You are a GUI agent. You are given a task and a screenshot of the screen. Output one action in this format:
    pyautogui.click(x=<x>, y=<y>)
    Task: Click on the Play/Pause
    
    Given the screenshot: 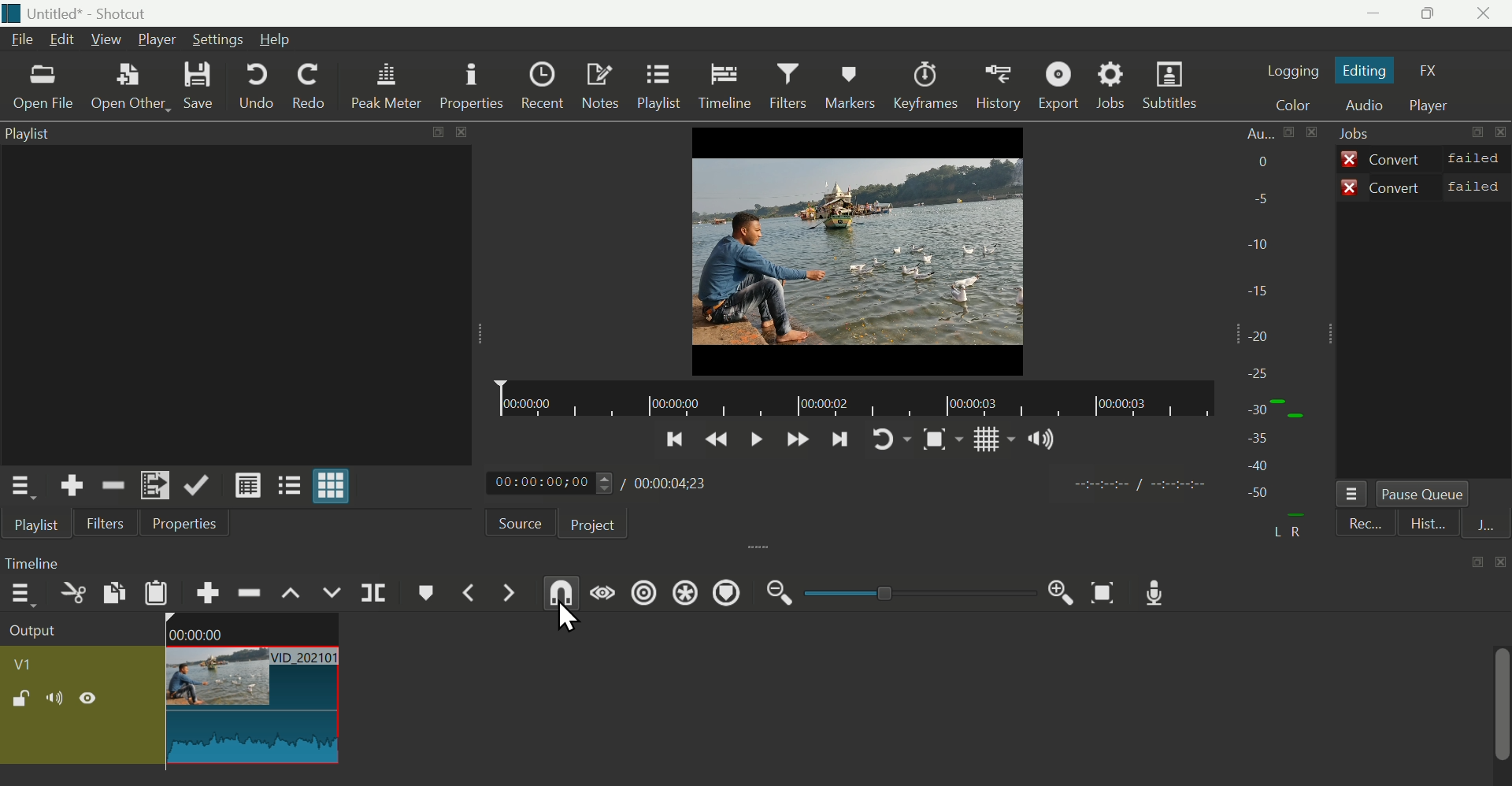 What is the action you would take?
    pyautogui.click(x=752, y=444)
    